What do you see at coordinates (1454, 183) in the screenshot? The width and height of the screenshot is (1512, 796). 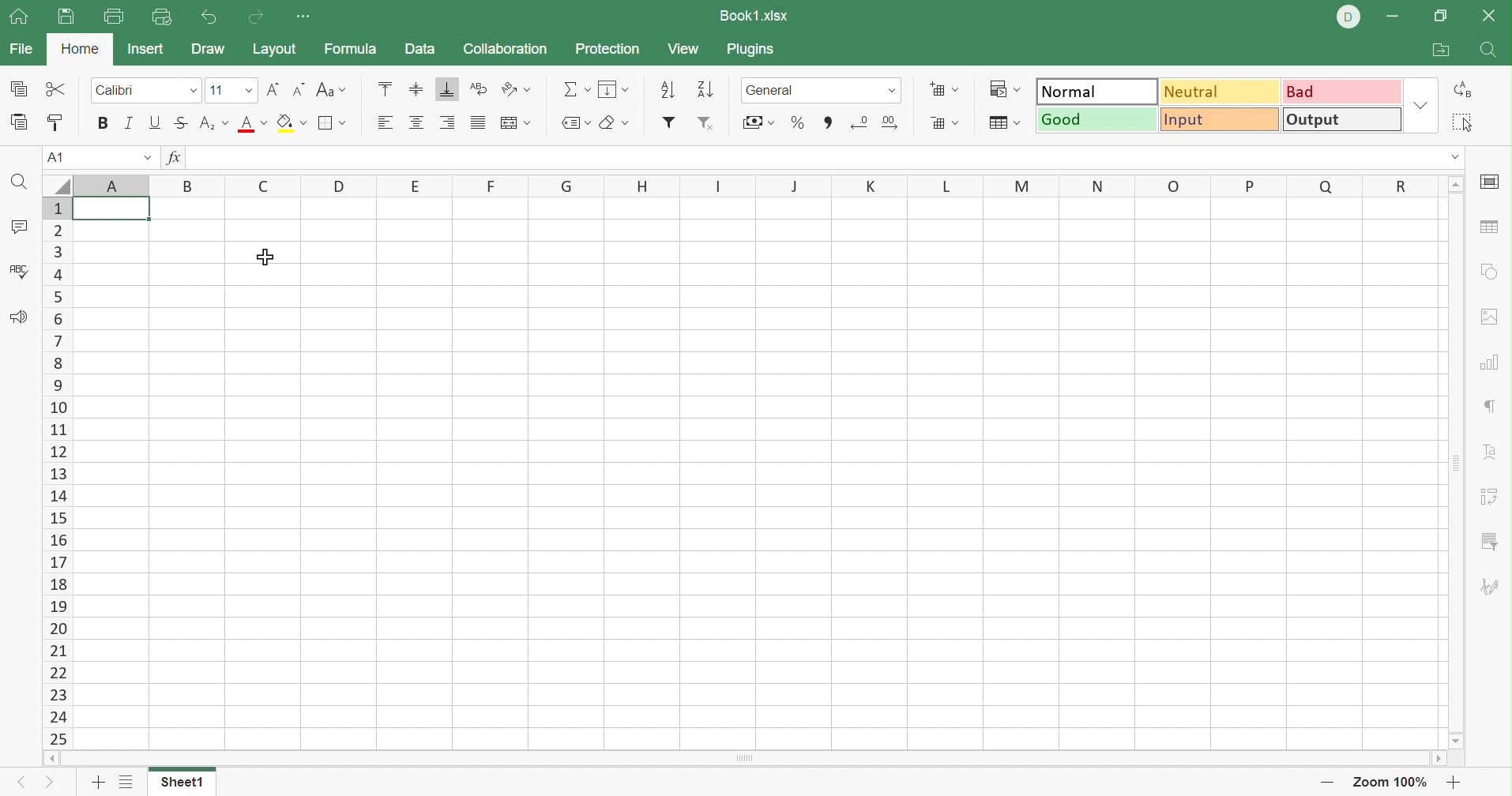 I see `Scroll up` at bounding box center [1454, 183].